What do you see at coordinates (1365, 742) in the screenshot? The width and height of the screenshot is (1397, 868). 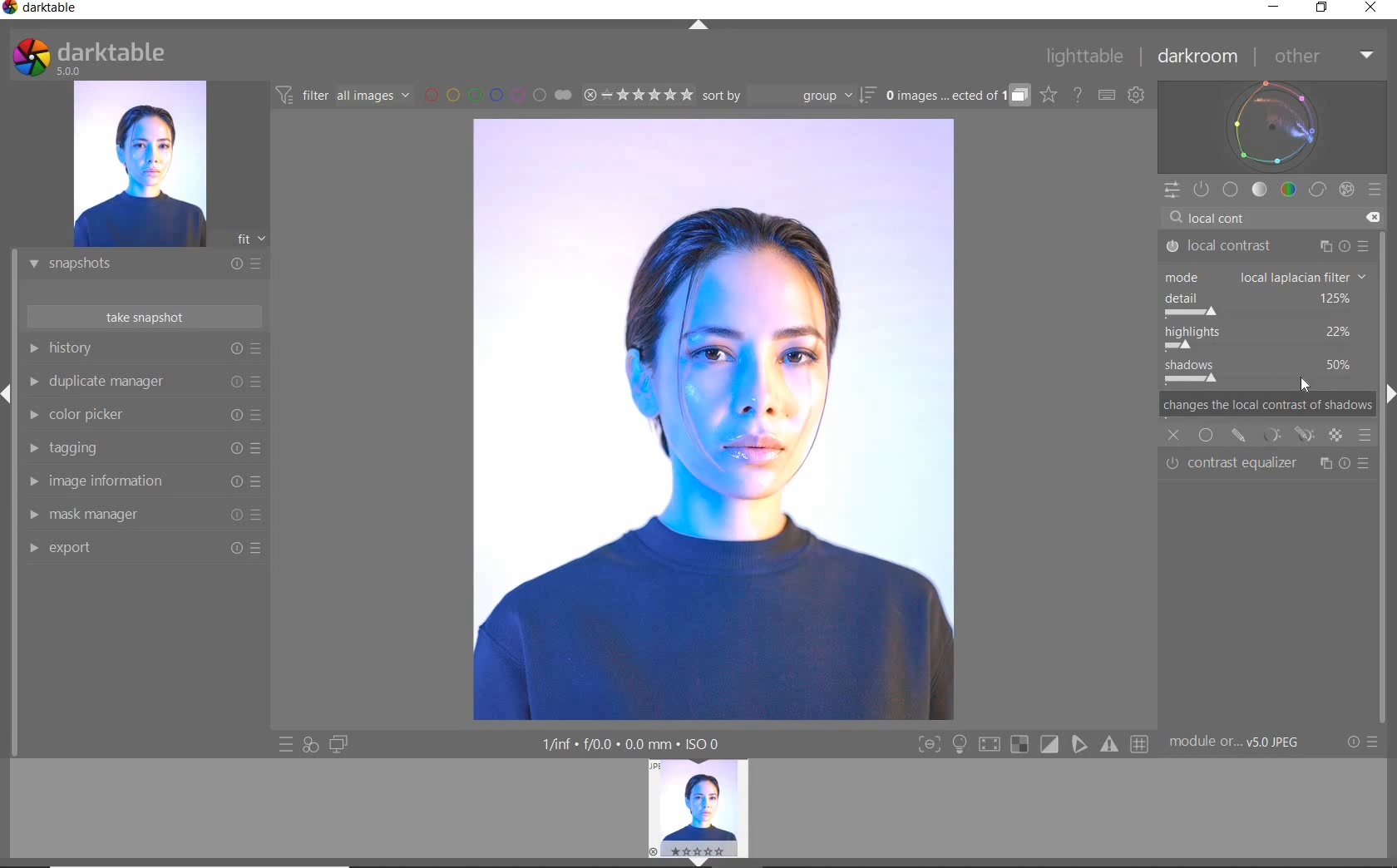 I see `RESET OR PRESETS & PREFERENCES` at bounding box center [1365, 742].